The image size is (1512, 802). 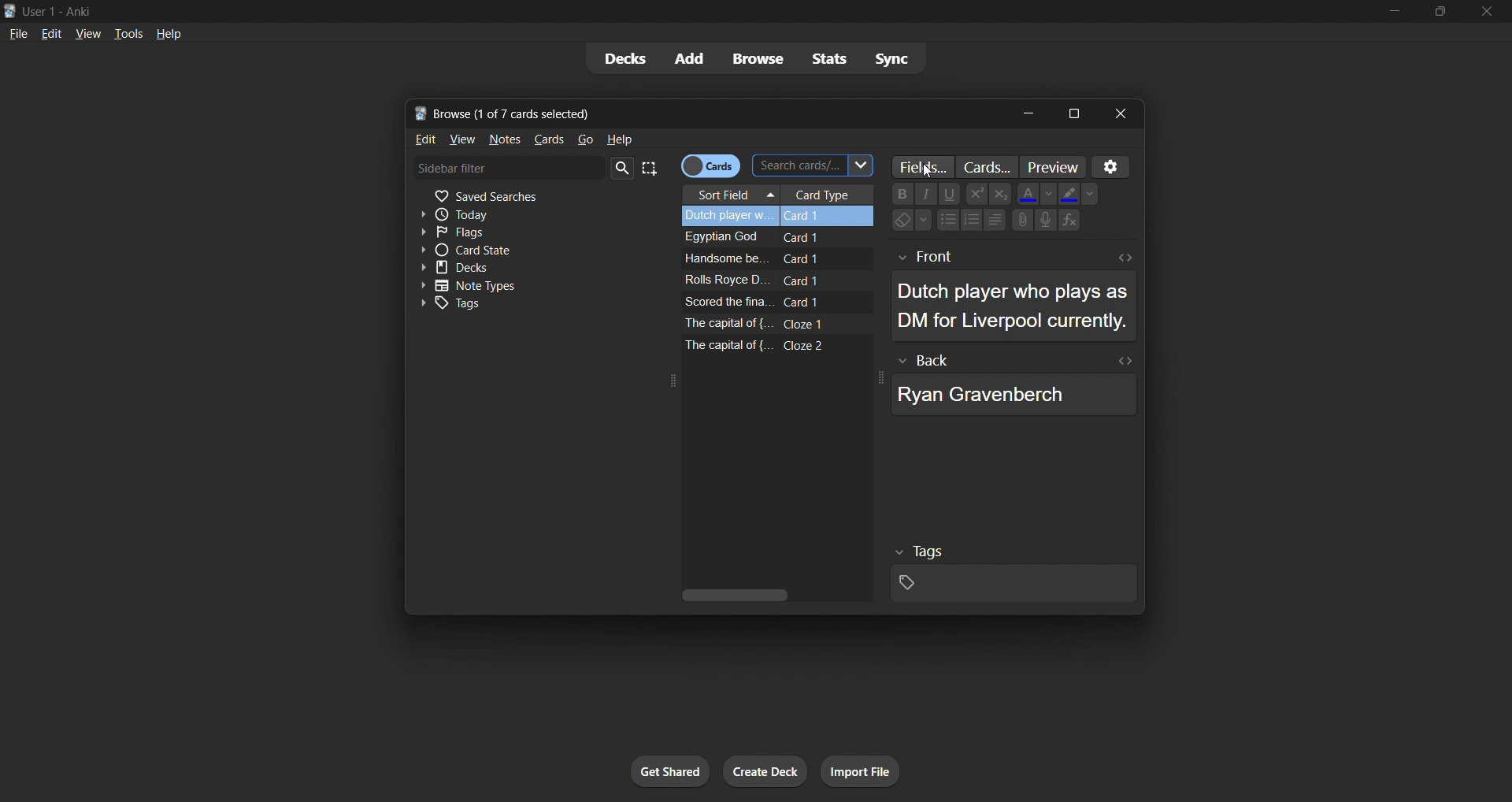 What do you see at coordinates (1051, 167) in the screenshot?
I see `preview cards` at bounding box center [1051, 167].